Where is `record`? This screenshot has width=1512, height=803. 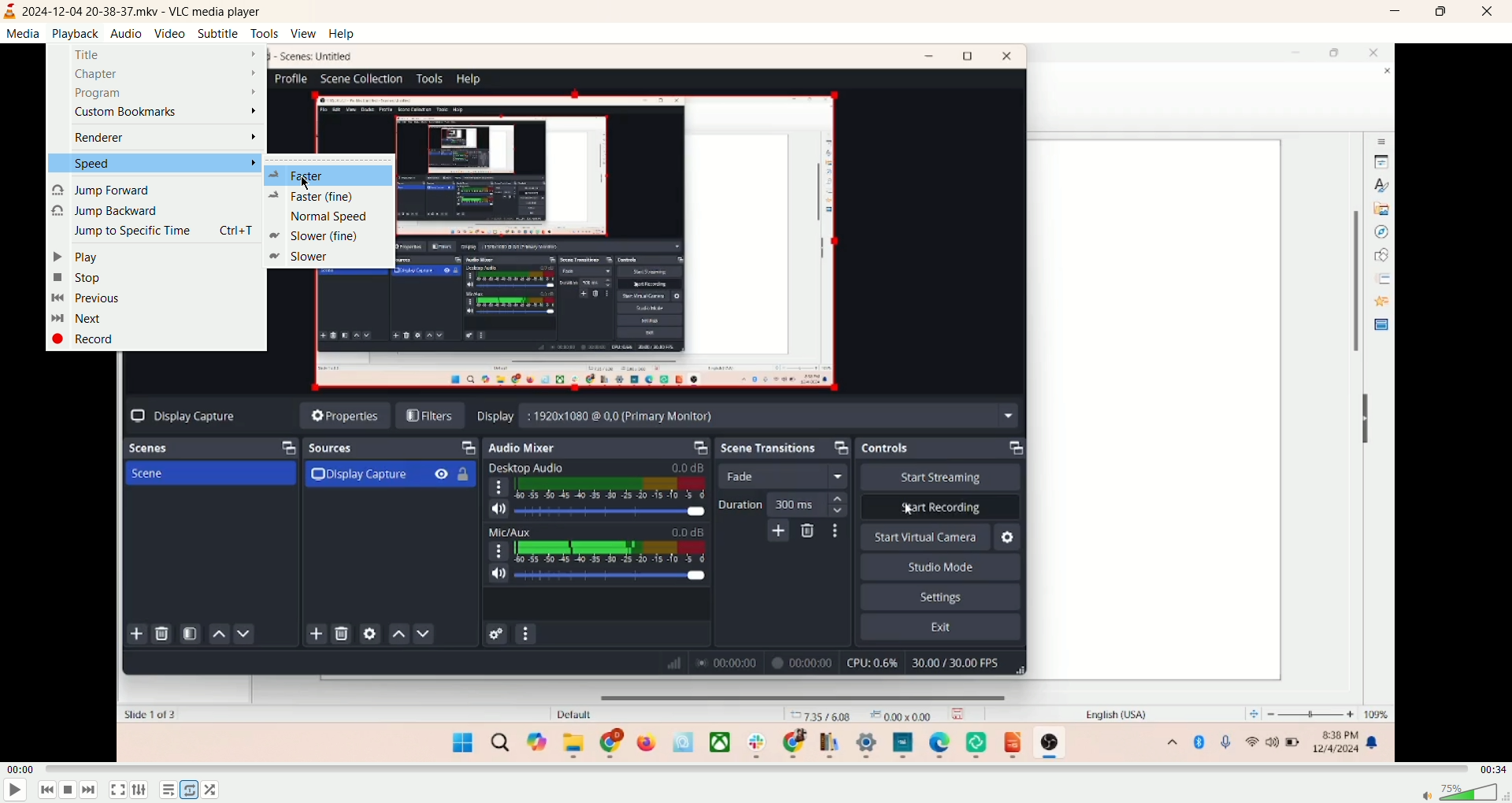 record is located at coordinates (93, 342).